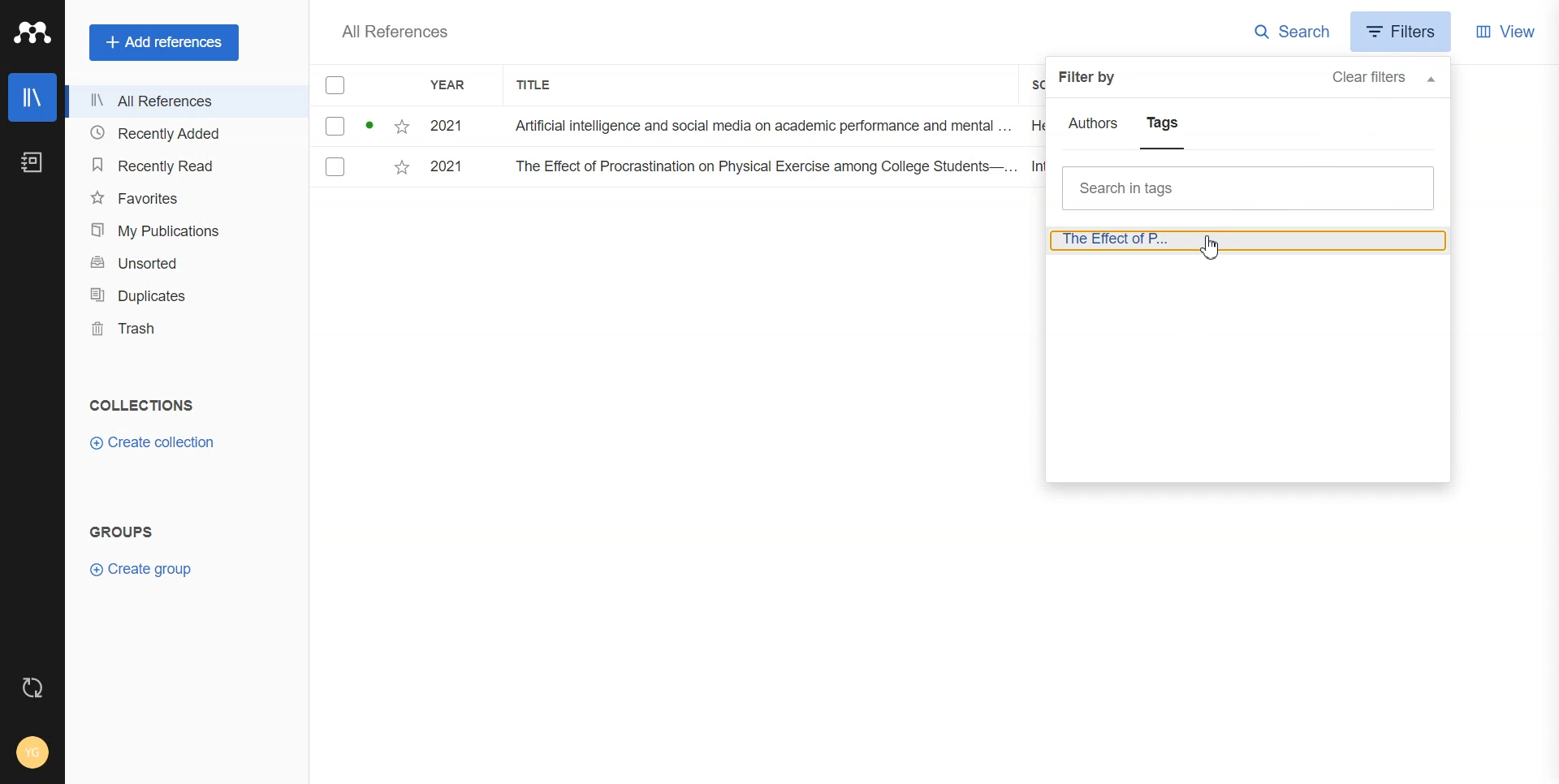 This screenshot has width=1559, height=784. Describe the element at coordinates (163, 42) in the screenshot. I see `+ Add references` at that location.